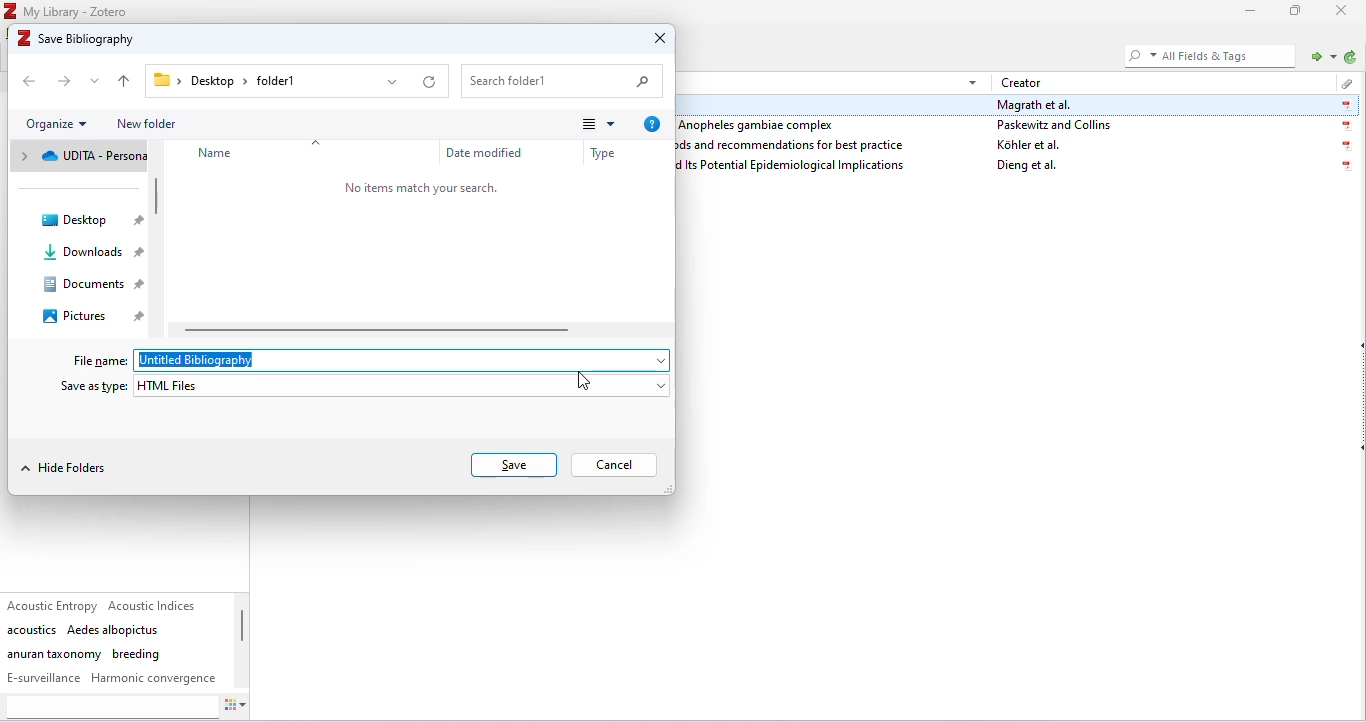 This screenshot has height=722, width=1366. I want to click on no items match your search, so click(422, 189).